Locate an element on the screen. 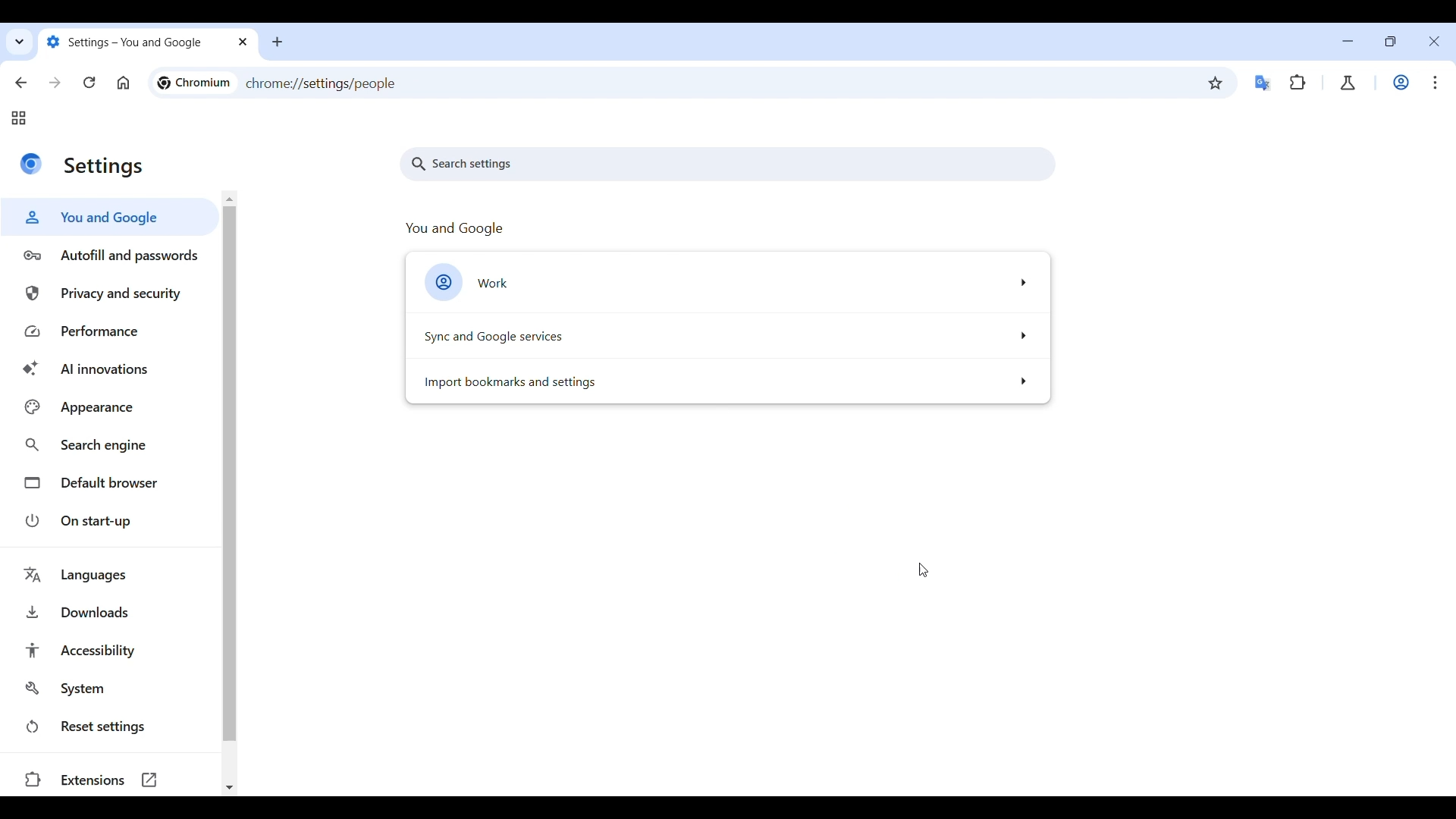 The width and height of the screenshot is (1456, 819). Work is located at coordinates (728, 282).